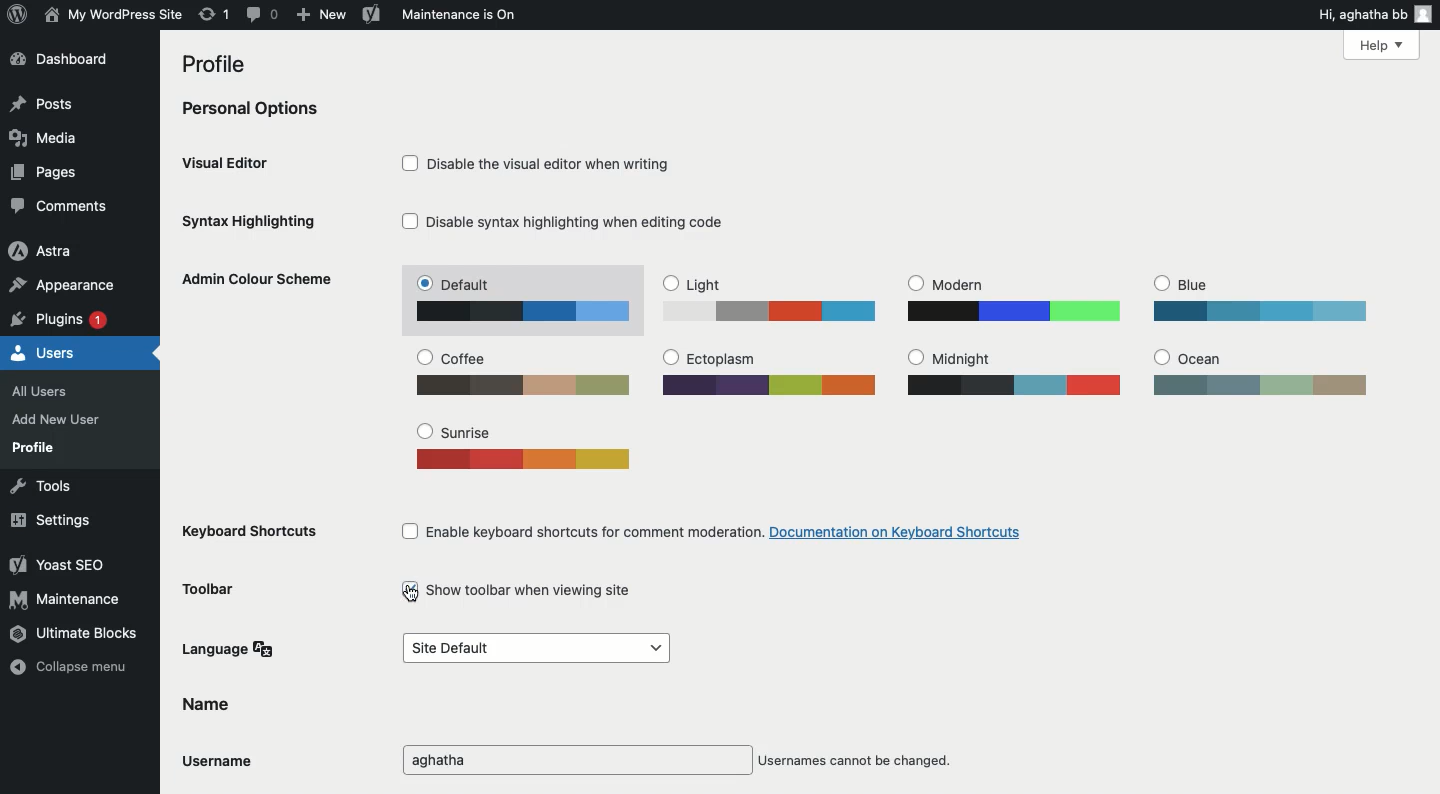 This screenshot has height=794, width=1440. What do you see at coordinates (460, 13) in the screenshot?
I see `Maintenance is on` at bounding box center [460, 13].